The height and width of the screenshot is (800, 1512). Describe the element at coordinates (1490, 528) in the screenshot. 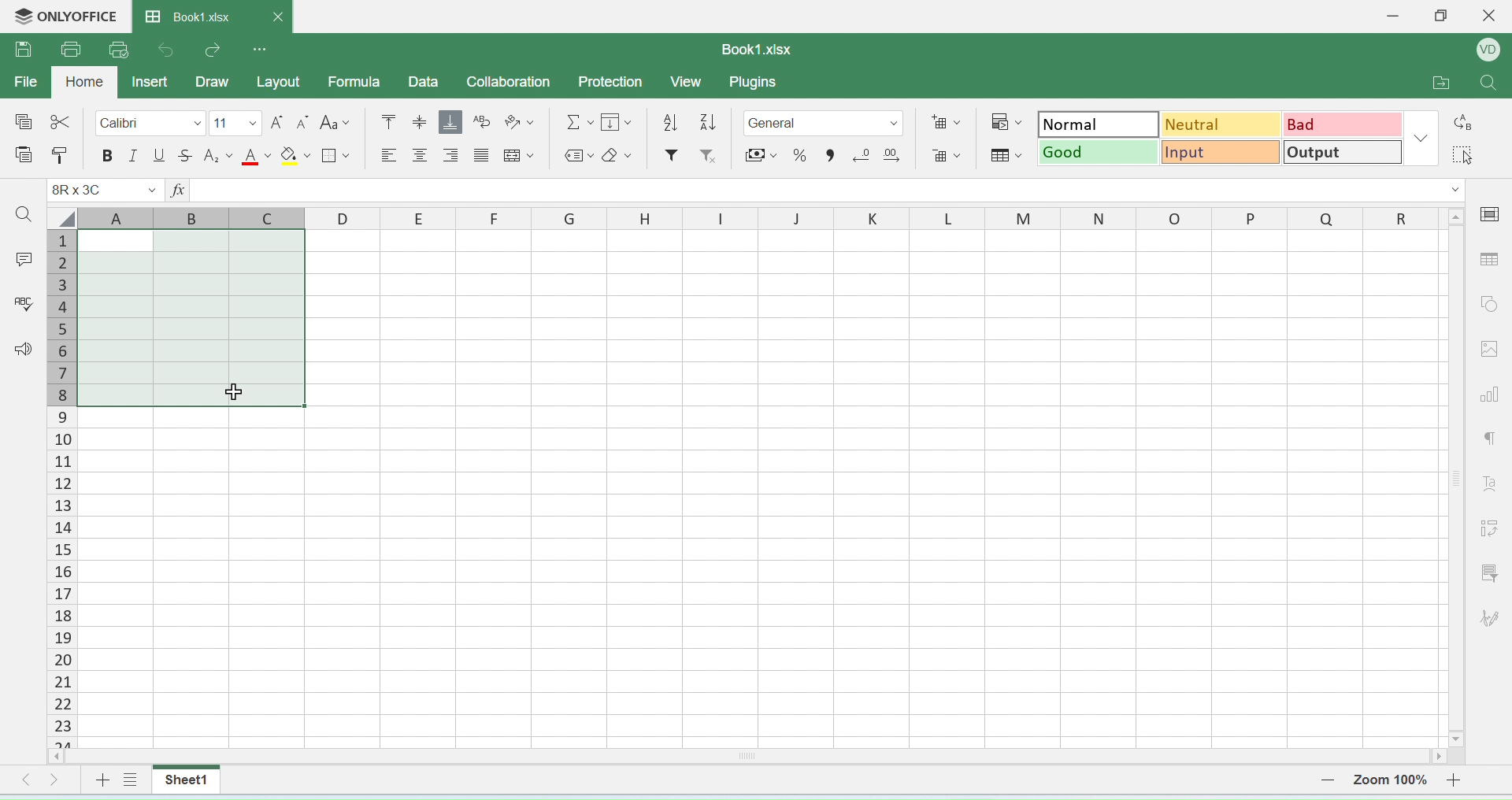

I see `adjust cells` at that location.